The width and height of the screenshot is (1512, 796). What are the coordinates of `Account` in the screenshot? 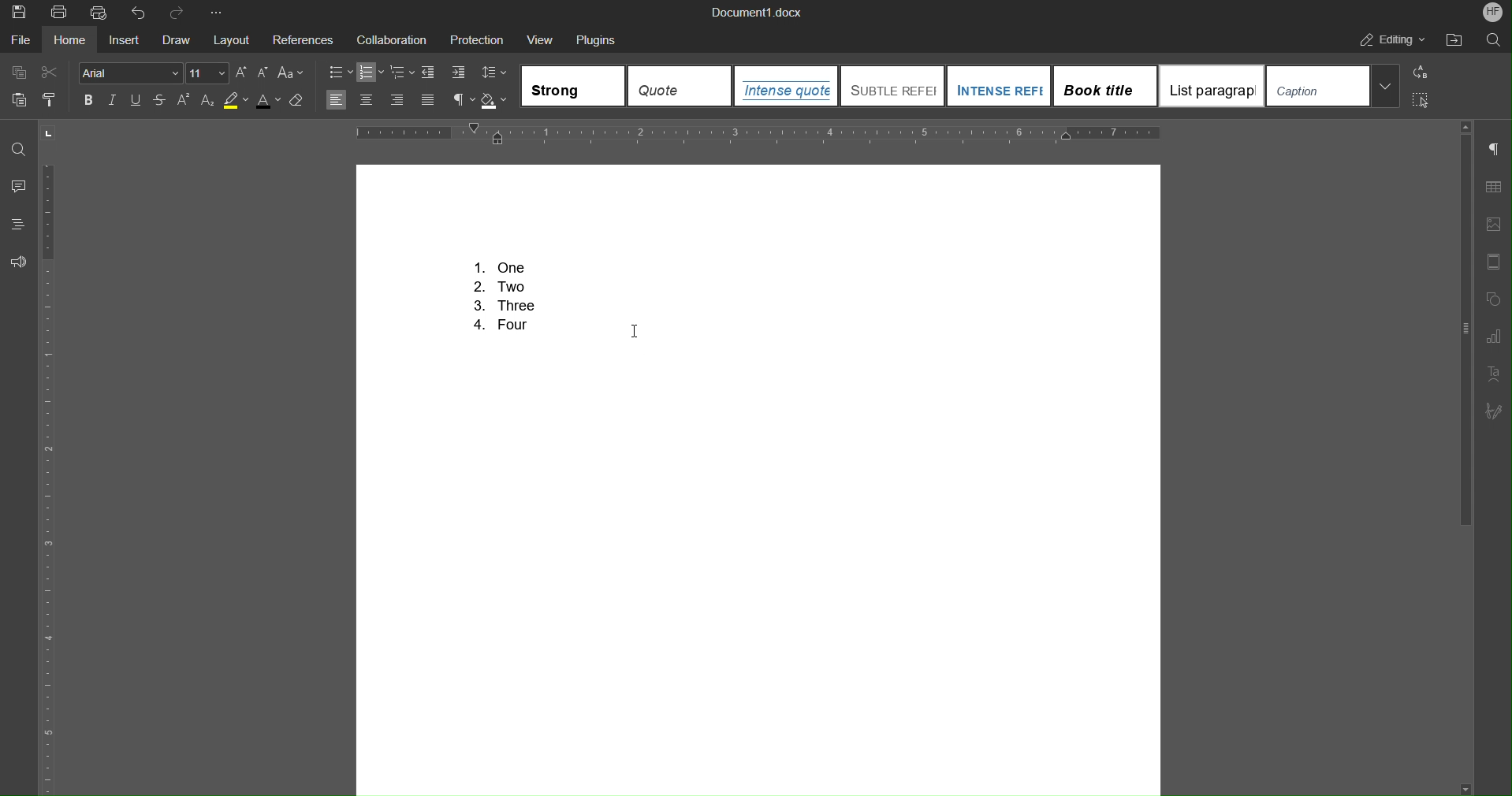 It's located at (1493, 11).